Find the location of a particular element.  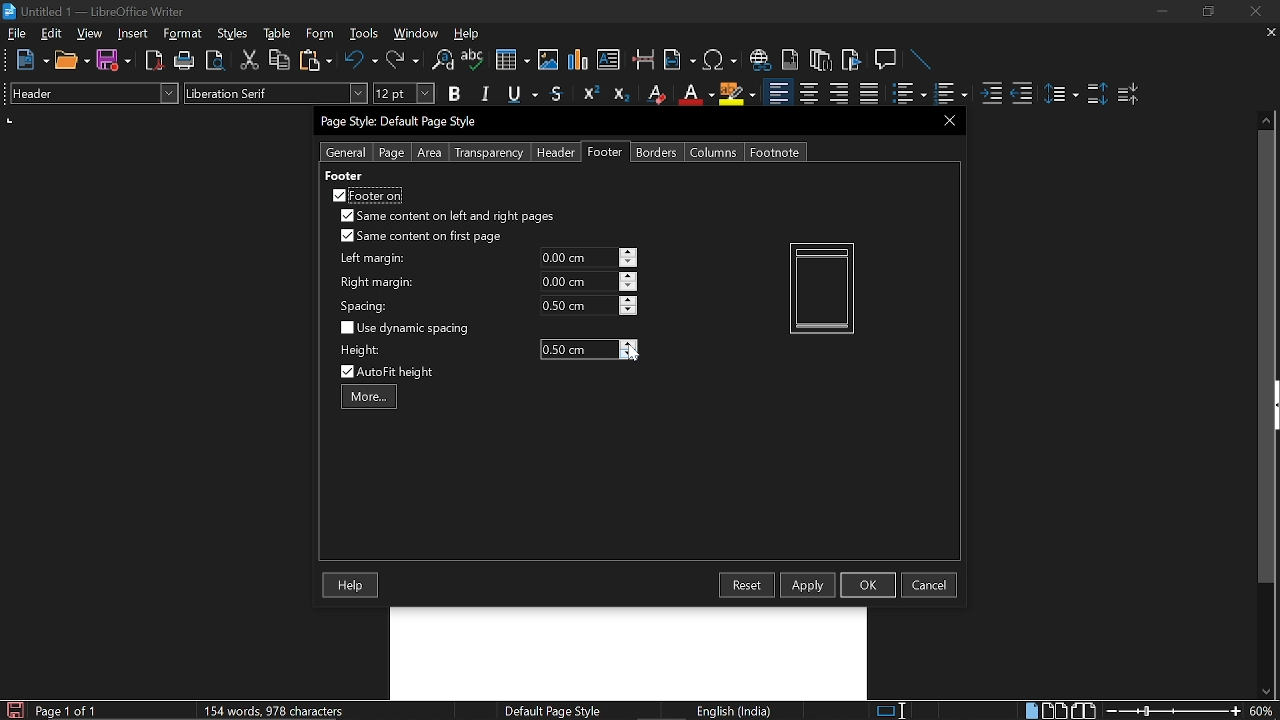

current right margin is located at coordinates (577, 281).